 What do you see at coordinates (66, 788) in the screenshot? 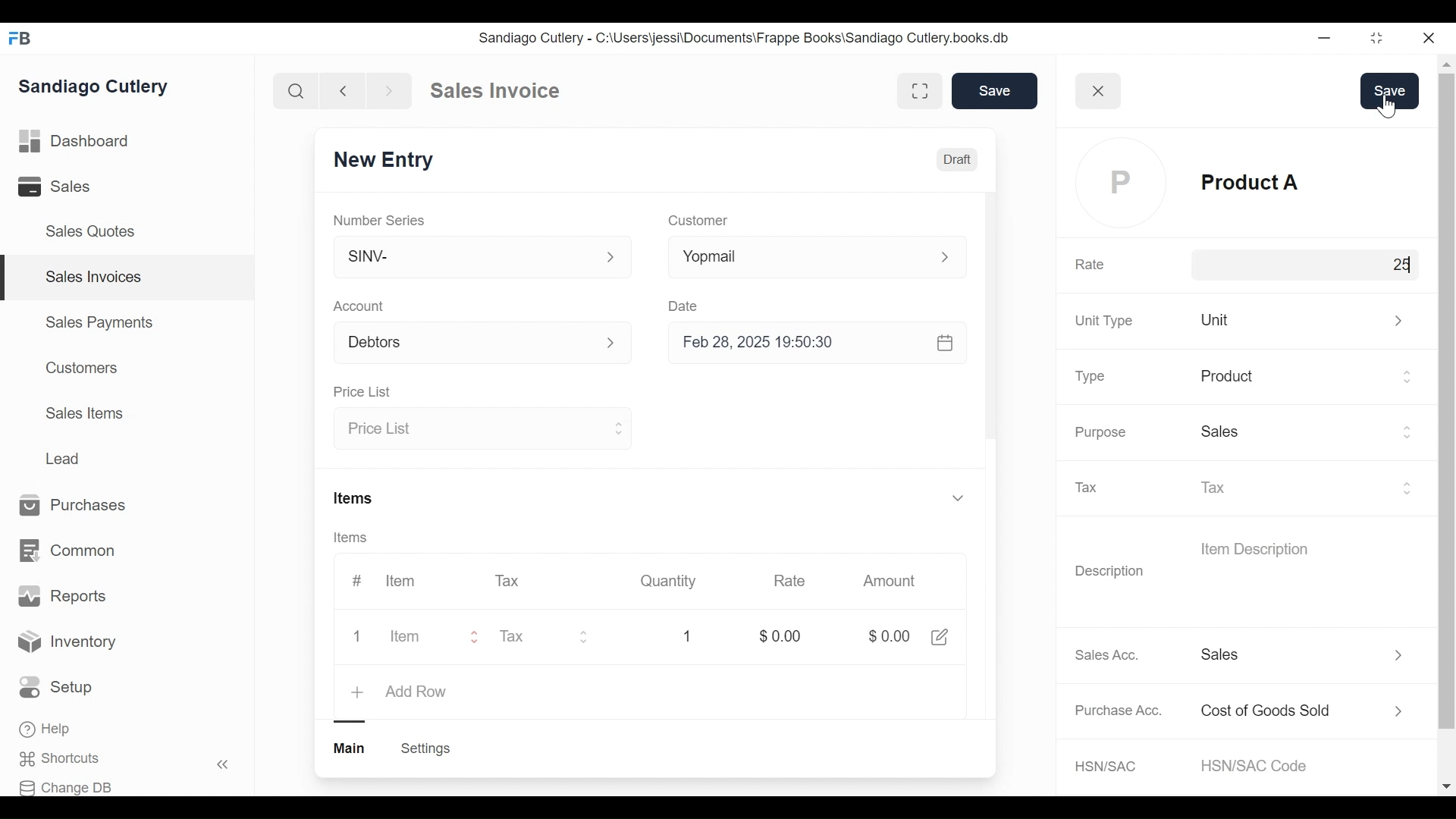
I see `Change DB` at bounding box center [66, 788].